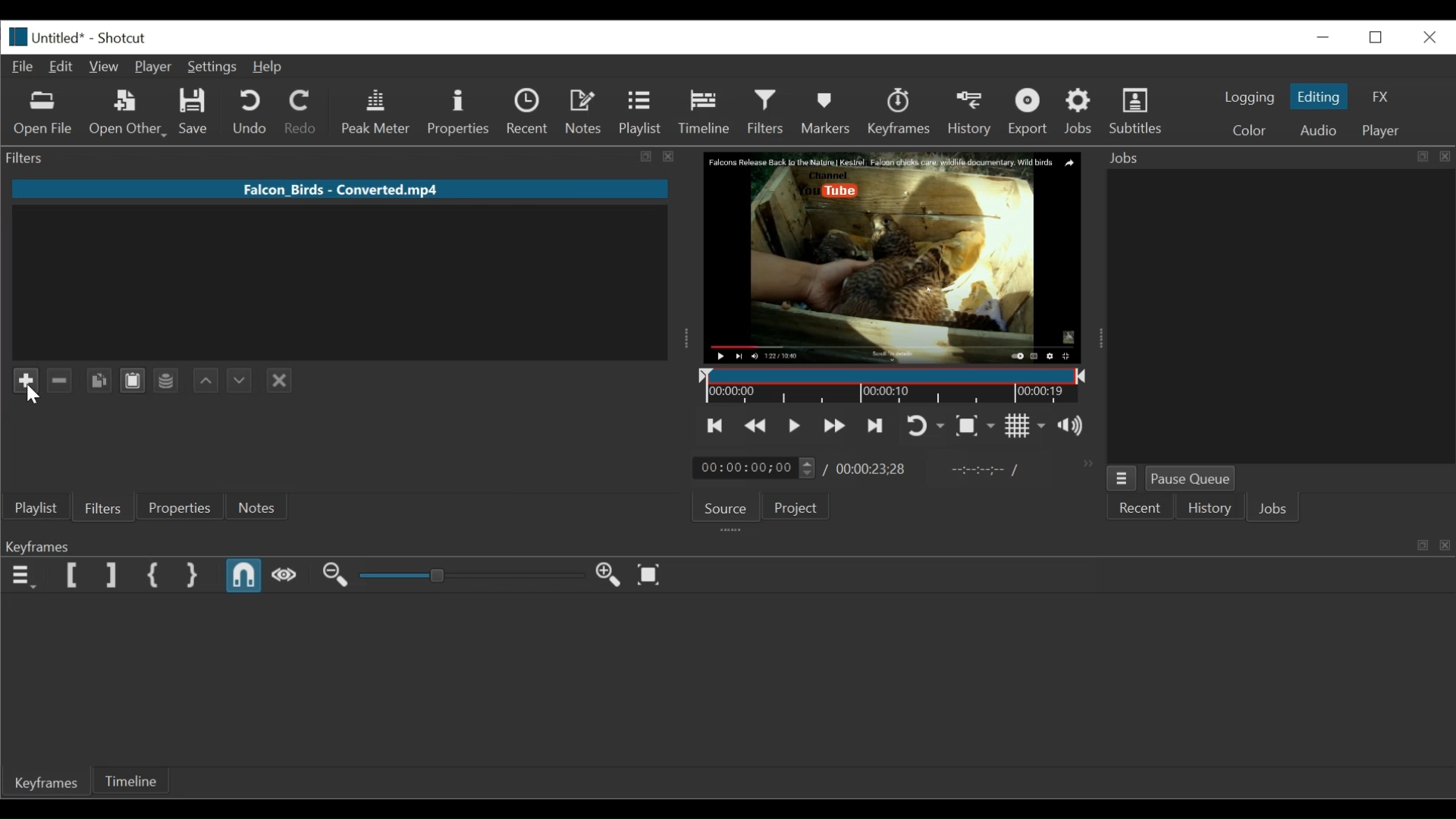 The height and width of the screenshot is (819, 1456). I want to click on Jobs Panel, so click(1276, 158).